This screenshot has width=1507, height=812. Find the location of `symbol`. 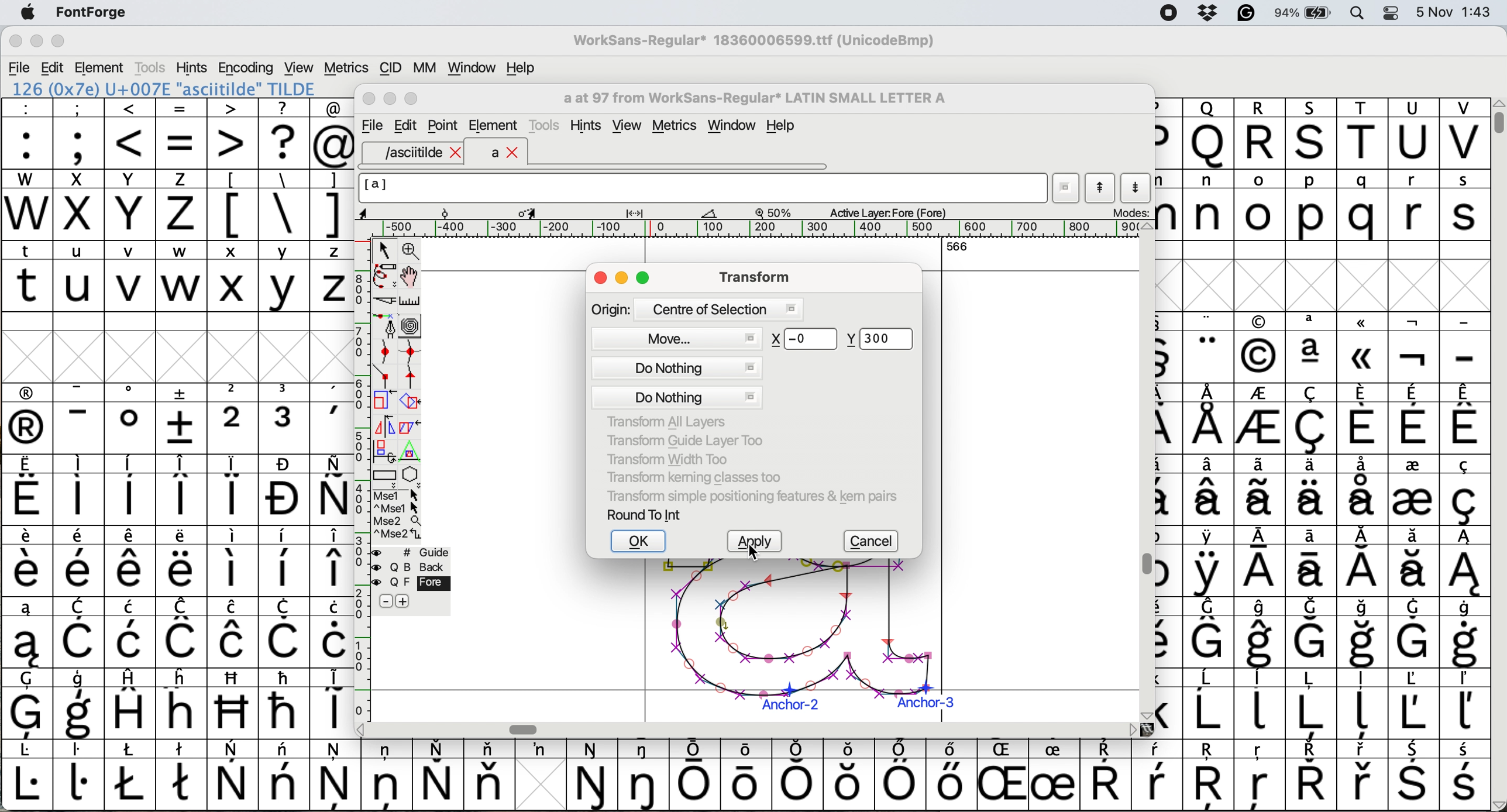

symbol is located at coordinates (1157, 775).